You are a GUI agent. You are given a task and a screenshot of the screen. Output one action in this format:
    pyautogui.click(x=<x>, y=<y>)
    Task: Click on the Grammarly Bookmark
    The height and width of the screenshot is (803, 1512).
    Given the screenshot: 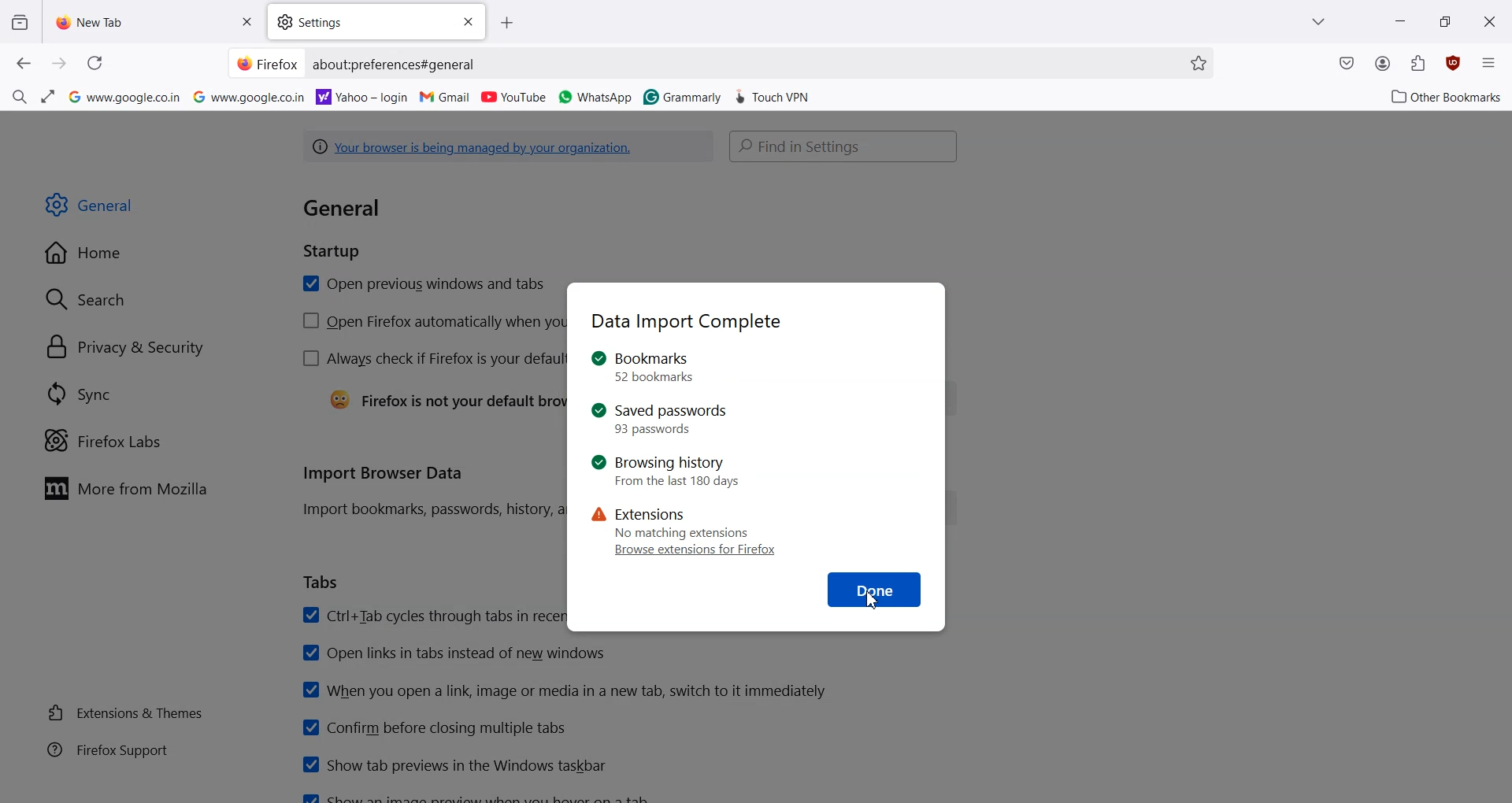 What is the action you would take?
    pyautogui.click(x=681, y=95)
    